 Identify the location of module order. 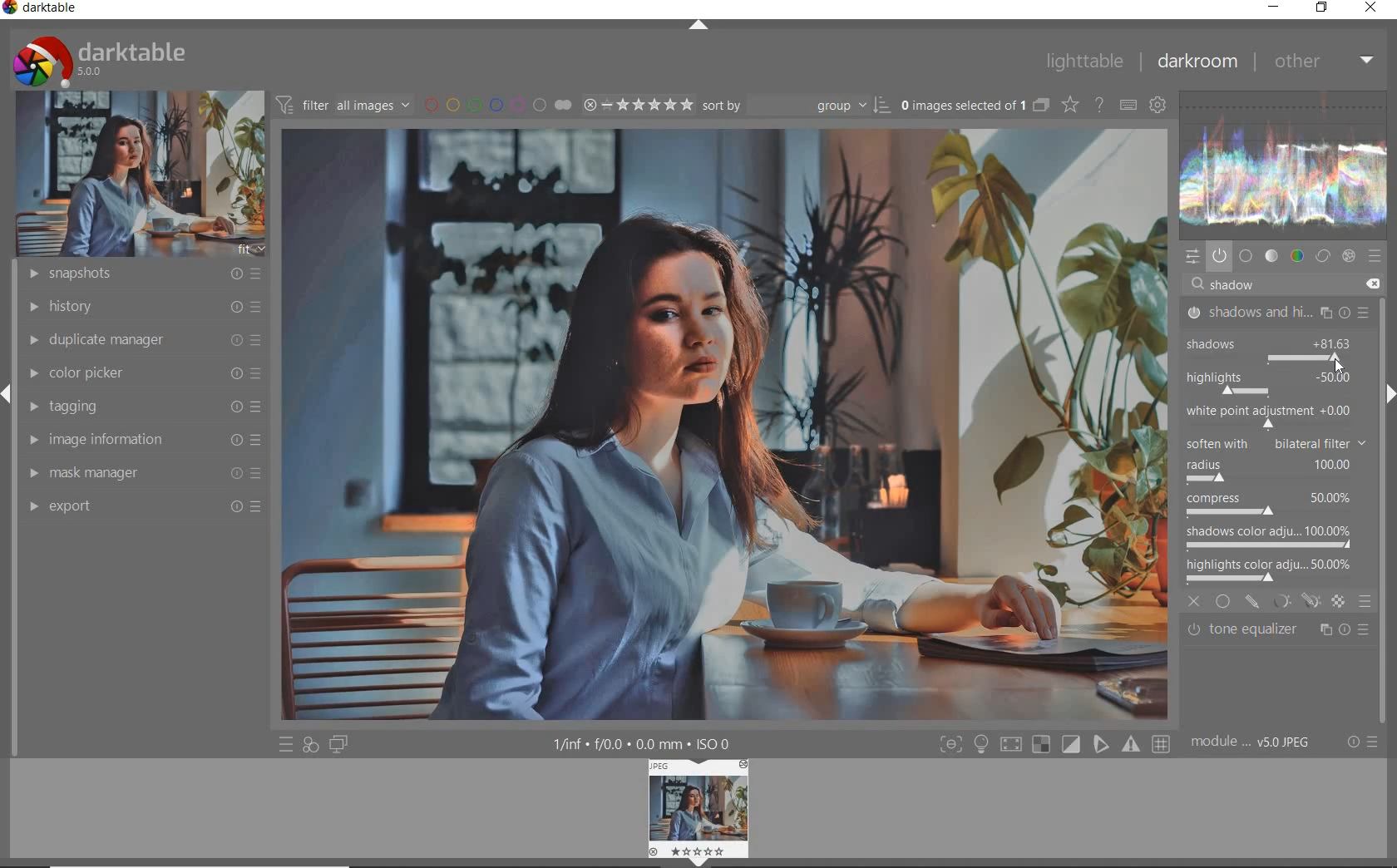
(1256, 744).